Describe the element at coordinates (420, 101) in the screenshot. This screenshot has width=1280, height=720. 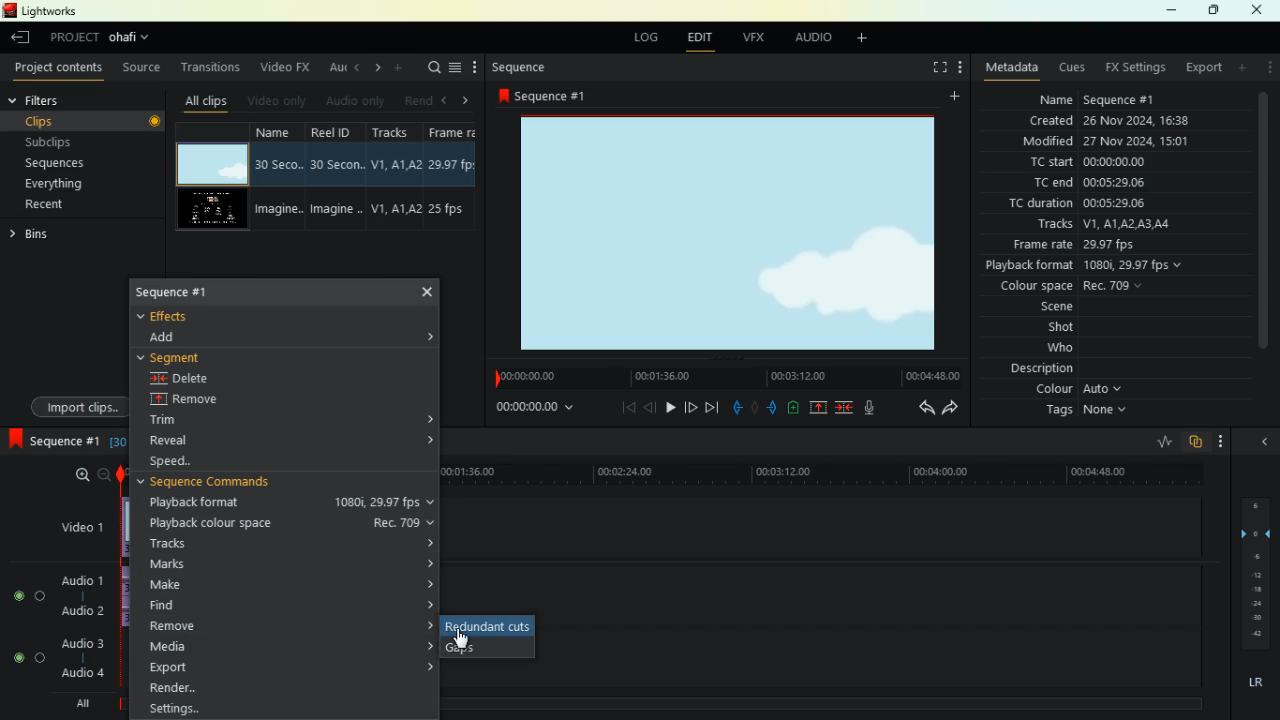
I see `rend` at that location.